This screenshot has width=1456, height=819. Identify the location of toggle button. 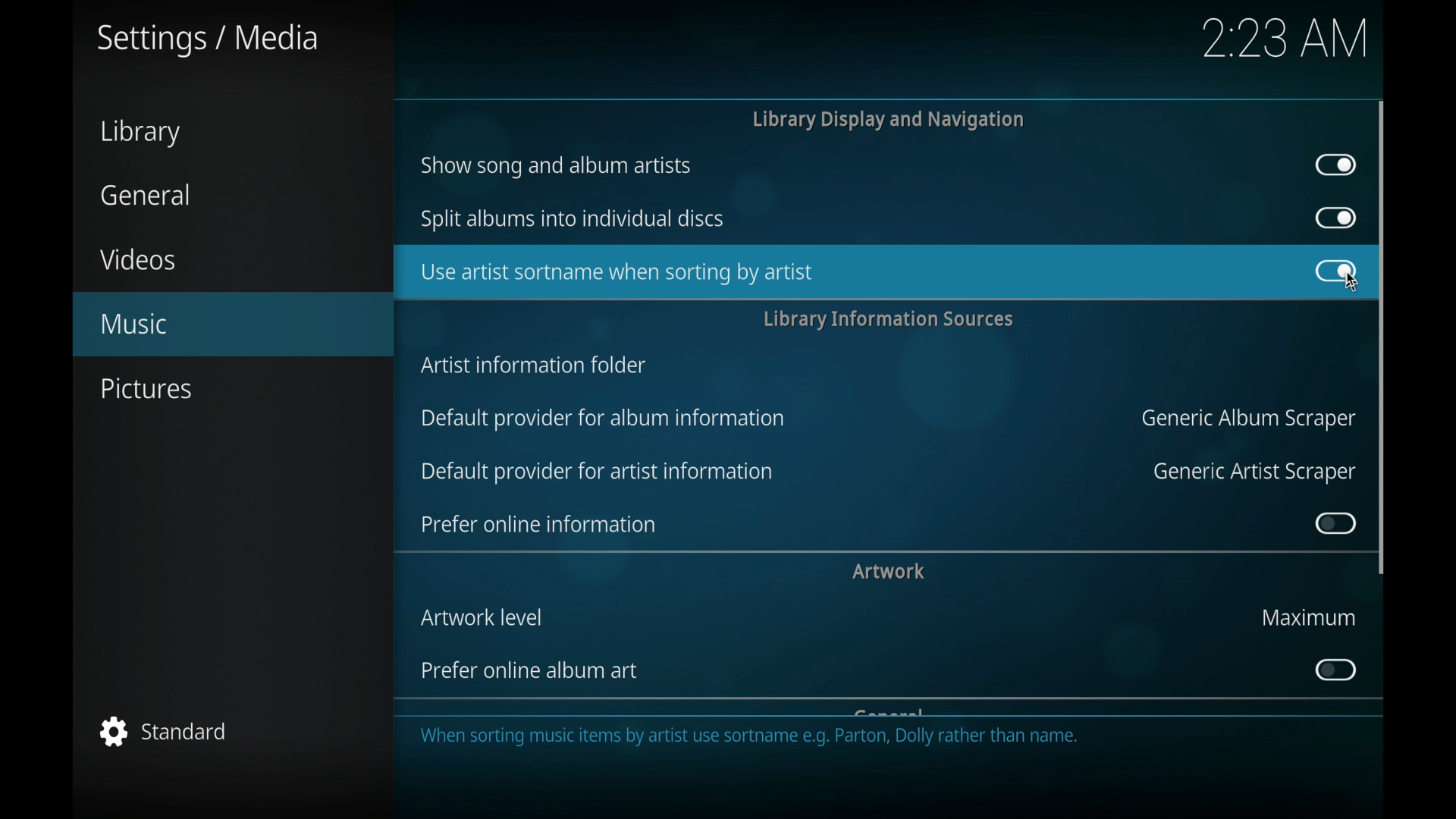
(1335, 523).